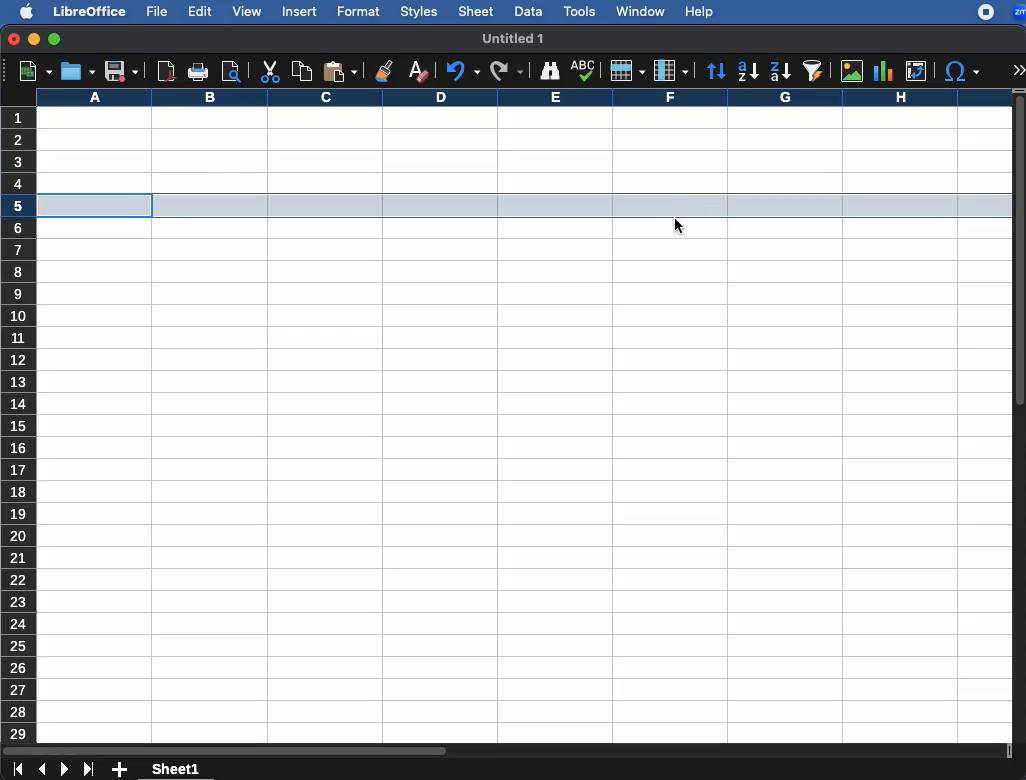 This screenshot has height=780, width=1026. Describe the element at coordinates (980, 13) in the screenshot. I see `recording` at that location.